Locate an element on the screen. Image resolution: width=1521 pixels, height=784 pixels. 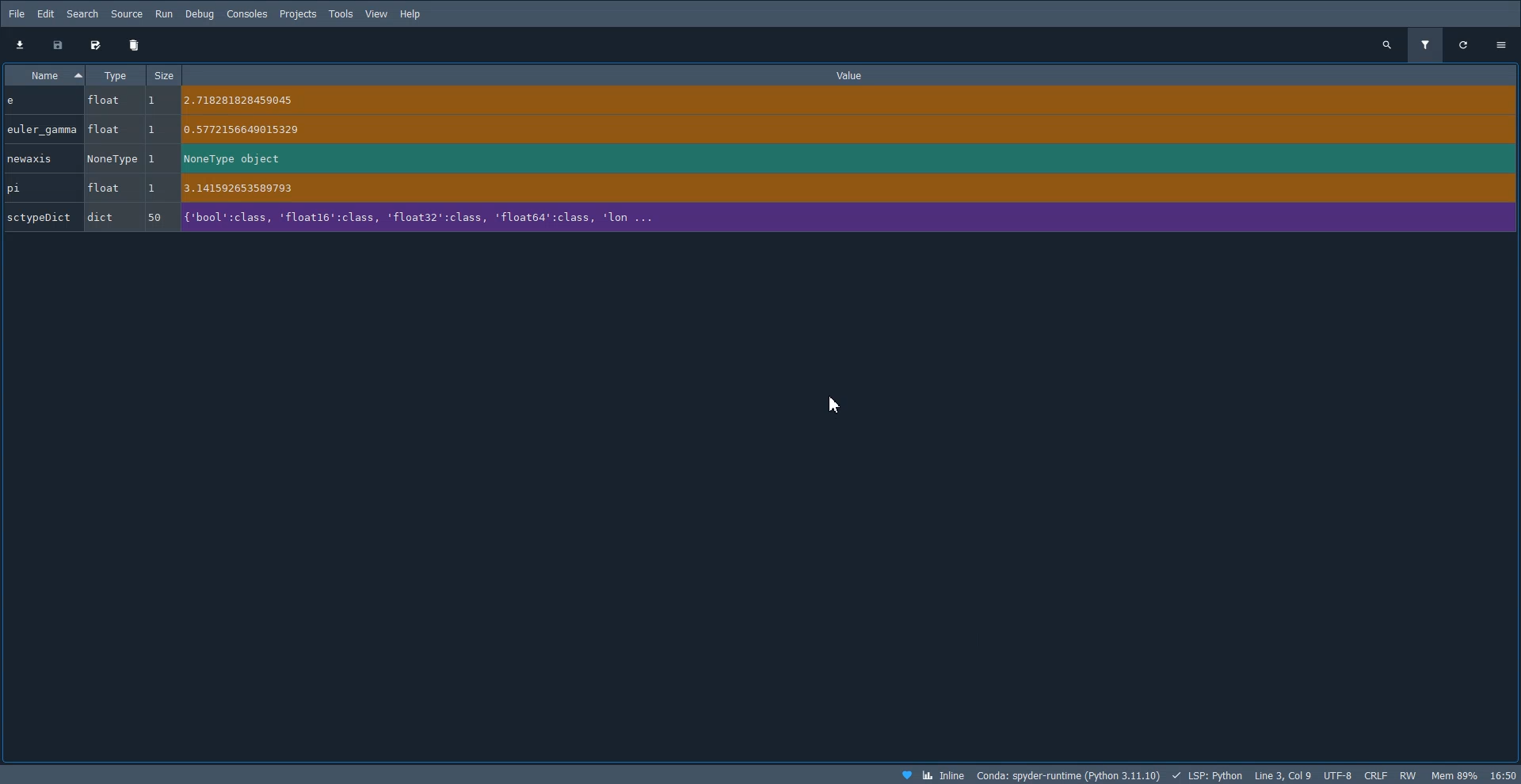
a 141592653589793 is located at coordinates (250, 188).